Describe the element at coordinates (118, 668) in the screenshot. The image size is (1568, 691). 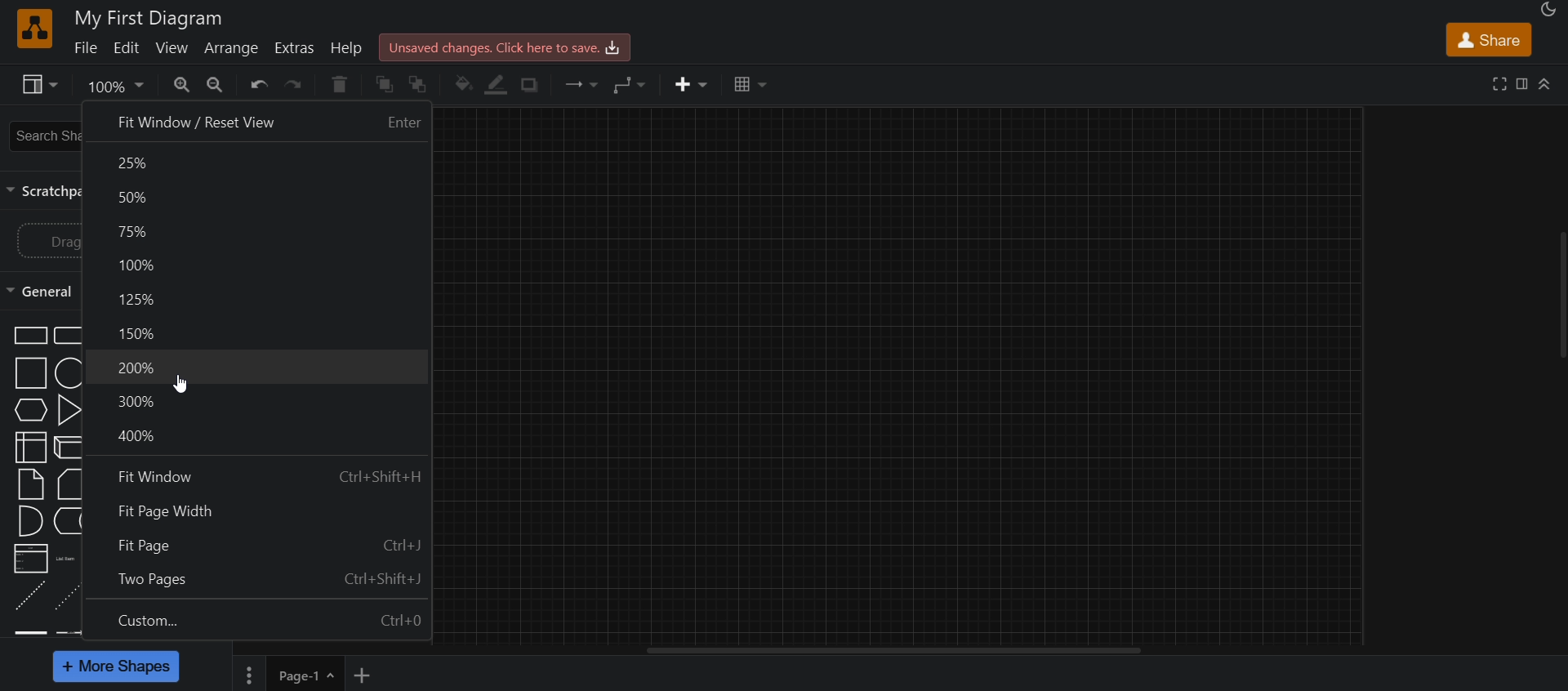
I see `more shapes` at that location.